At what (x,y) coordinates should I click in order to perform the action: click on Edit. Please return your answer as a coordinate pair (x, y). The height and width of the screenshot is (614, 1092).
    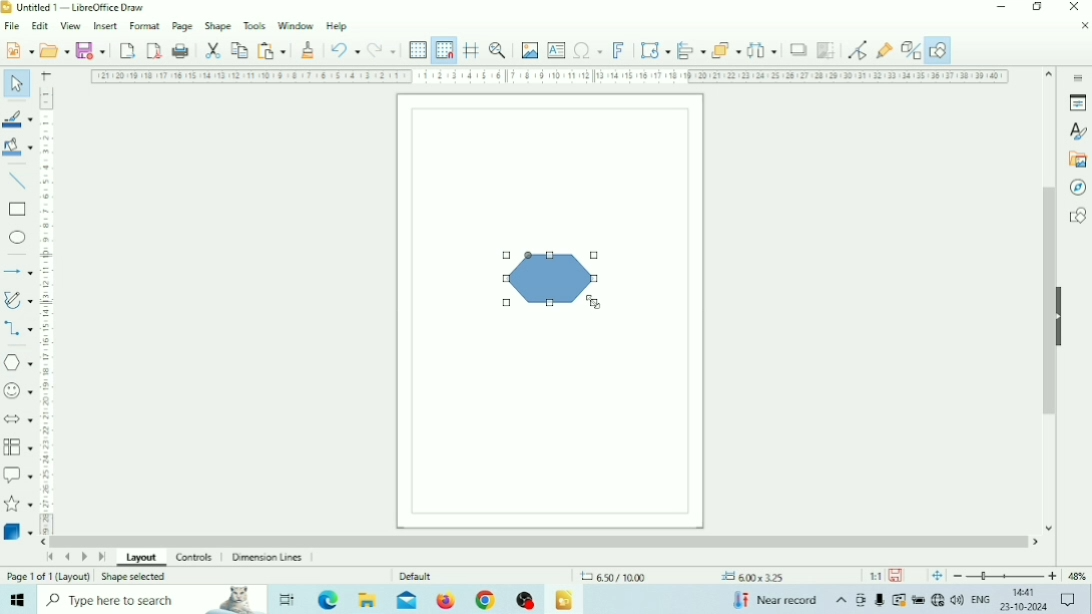
    Looking at the image, I should click on (40, 26).